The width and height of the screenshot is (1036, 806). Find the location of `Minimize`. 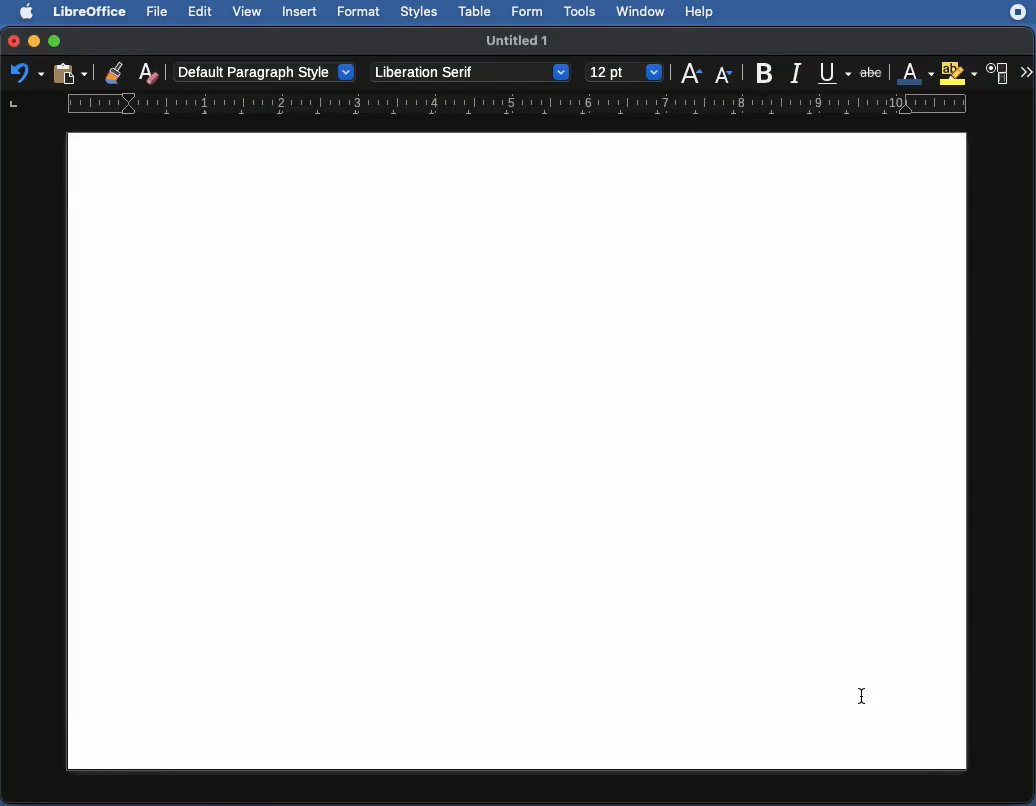

Minimize is located at coordinates (34, 40).